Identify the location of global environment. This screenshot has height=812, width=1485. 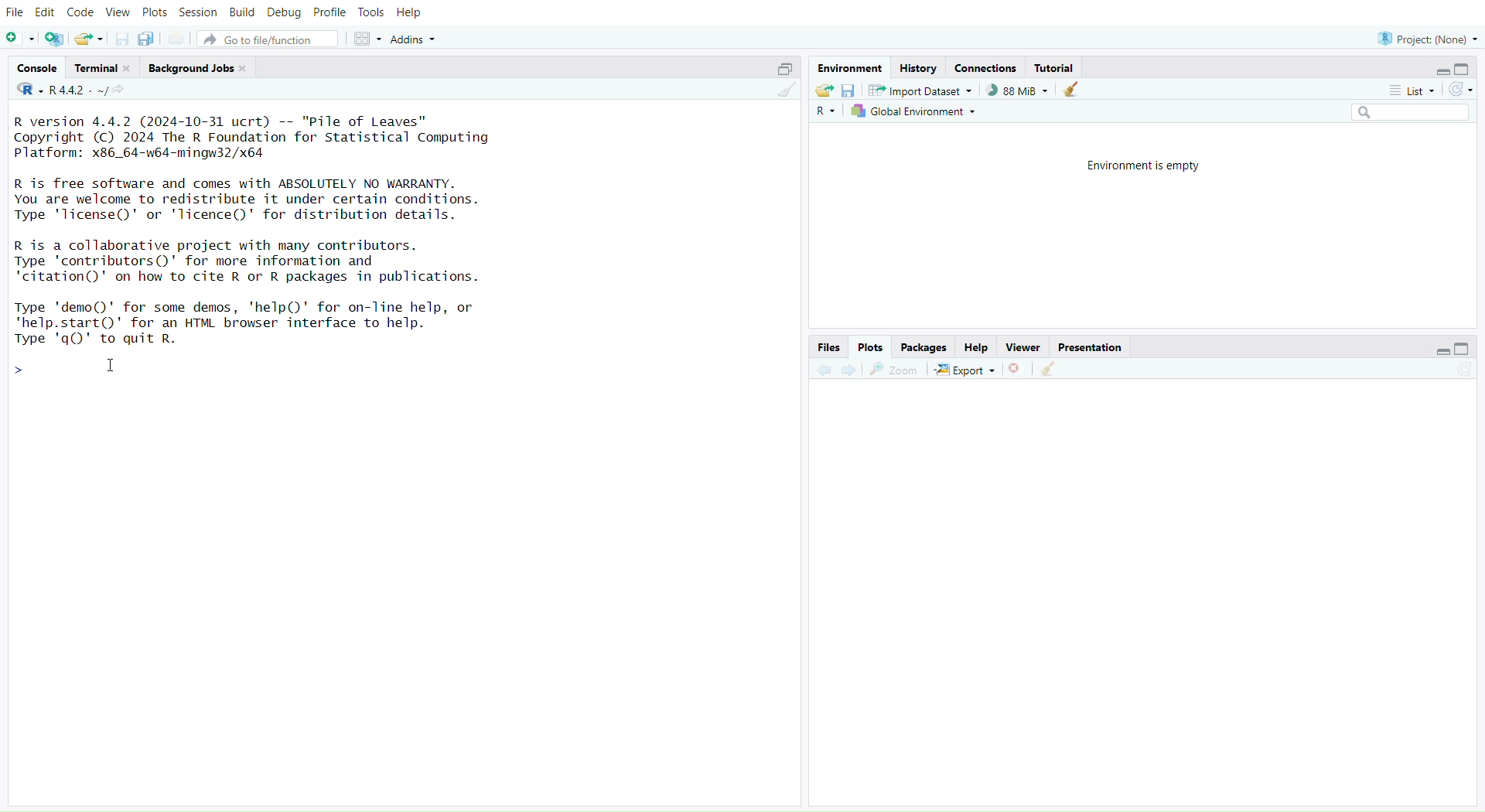
(917, 113).